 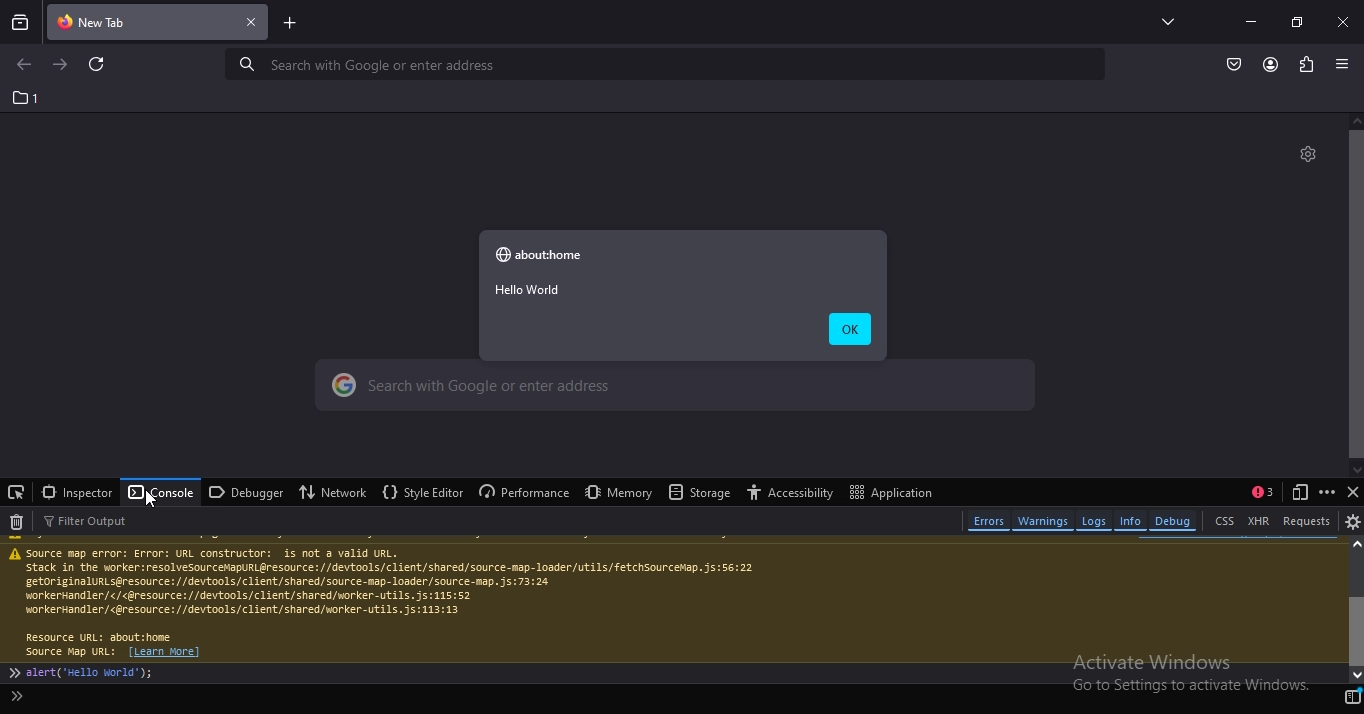 What do you see at coordinates (1296, 21) in the screenshot?
I see `restore tab` at bounding box center [1296, 21].